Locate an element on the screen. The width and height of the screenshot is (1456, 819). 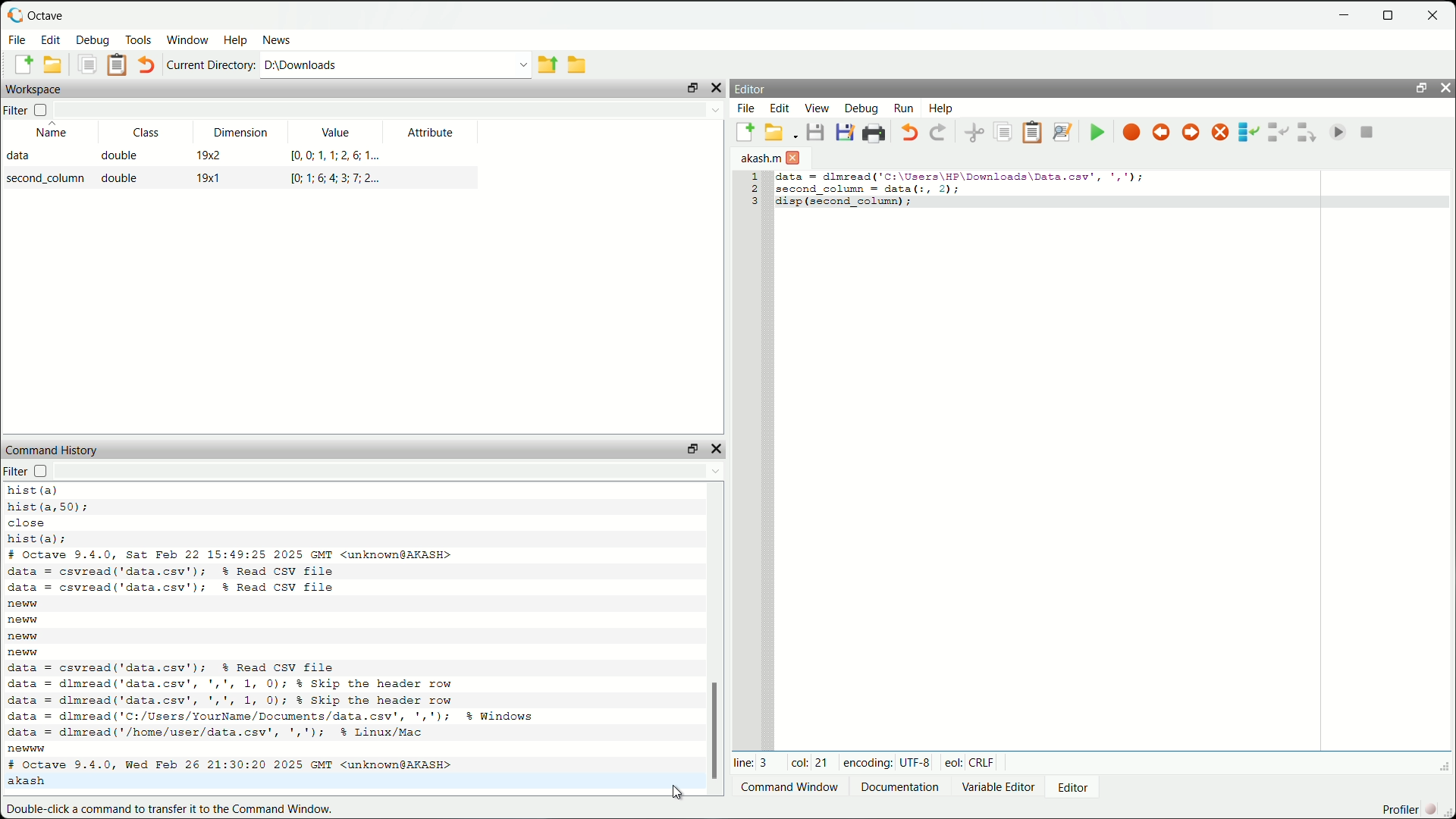
redo is located at coordinates (940, 134).